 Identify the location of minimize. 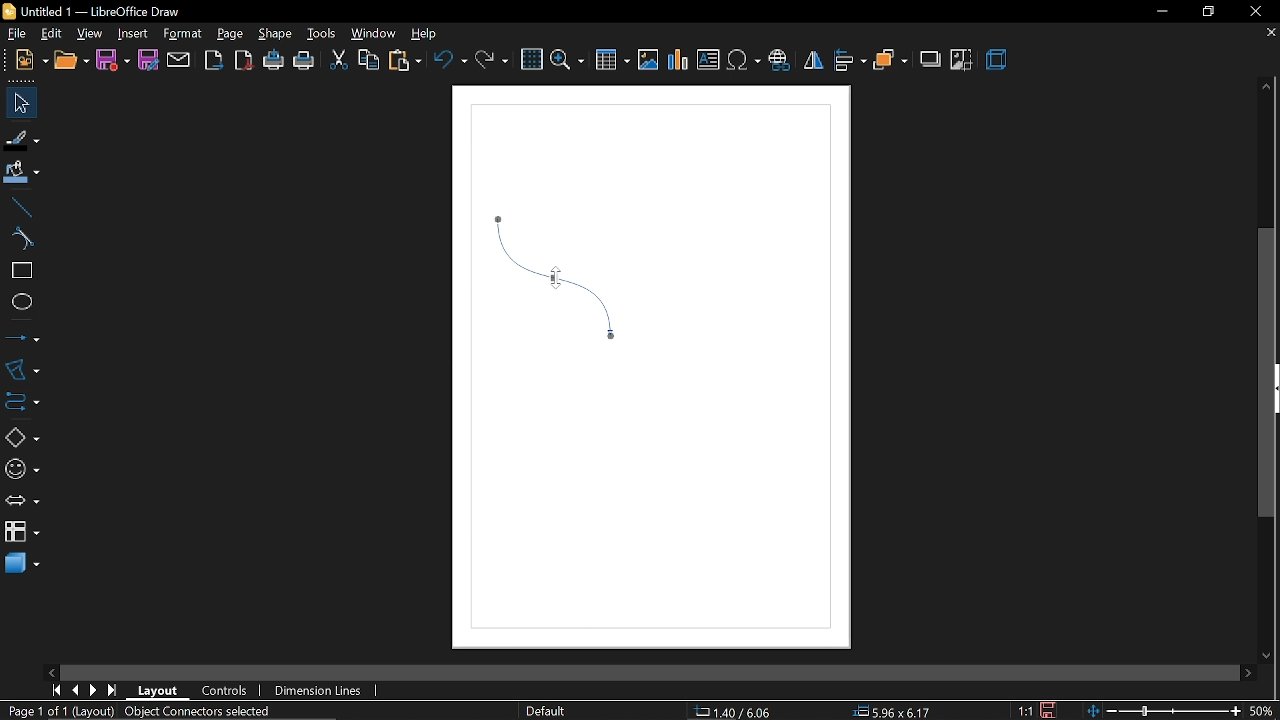
(1158, 12).